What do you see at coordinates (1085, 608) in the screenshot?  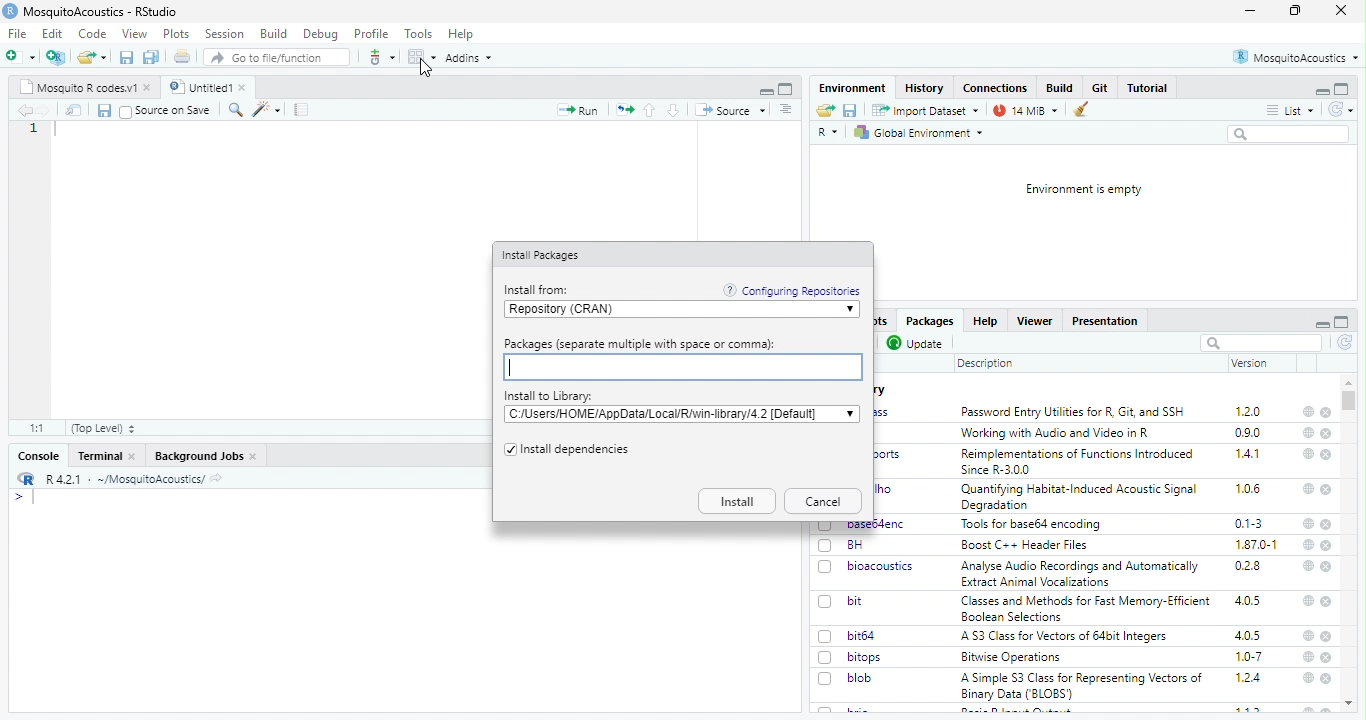 I see `Classes and Methods for Fast Memory-Efficient
[rrr —` at bounding box center [1085, 608].